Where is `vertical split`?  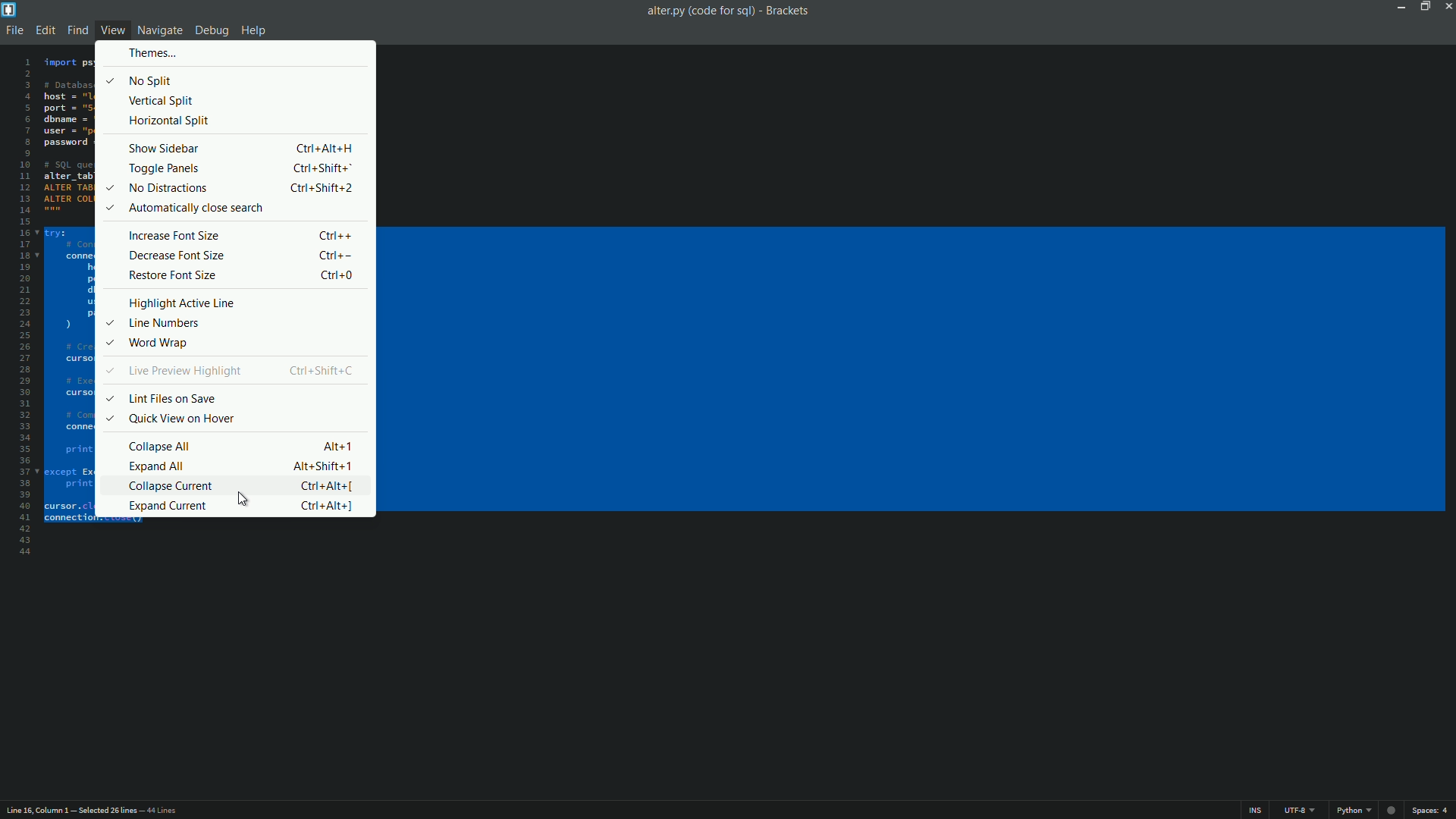
vertical split is located at coordinates (163, 102).